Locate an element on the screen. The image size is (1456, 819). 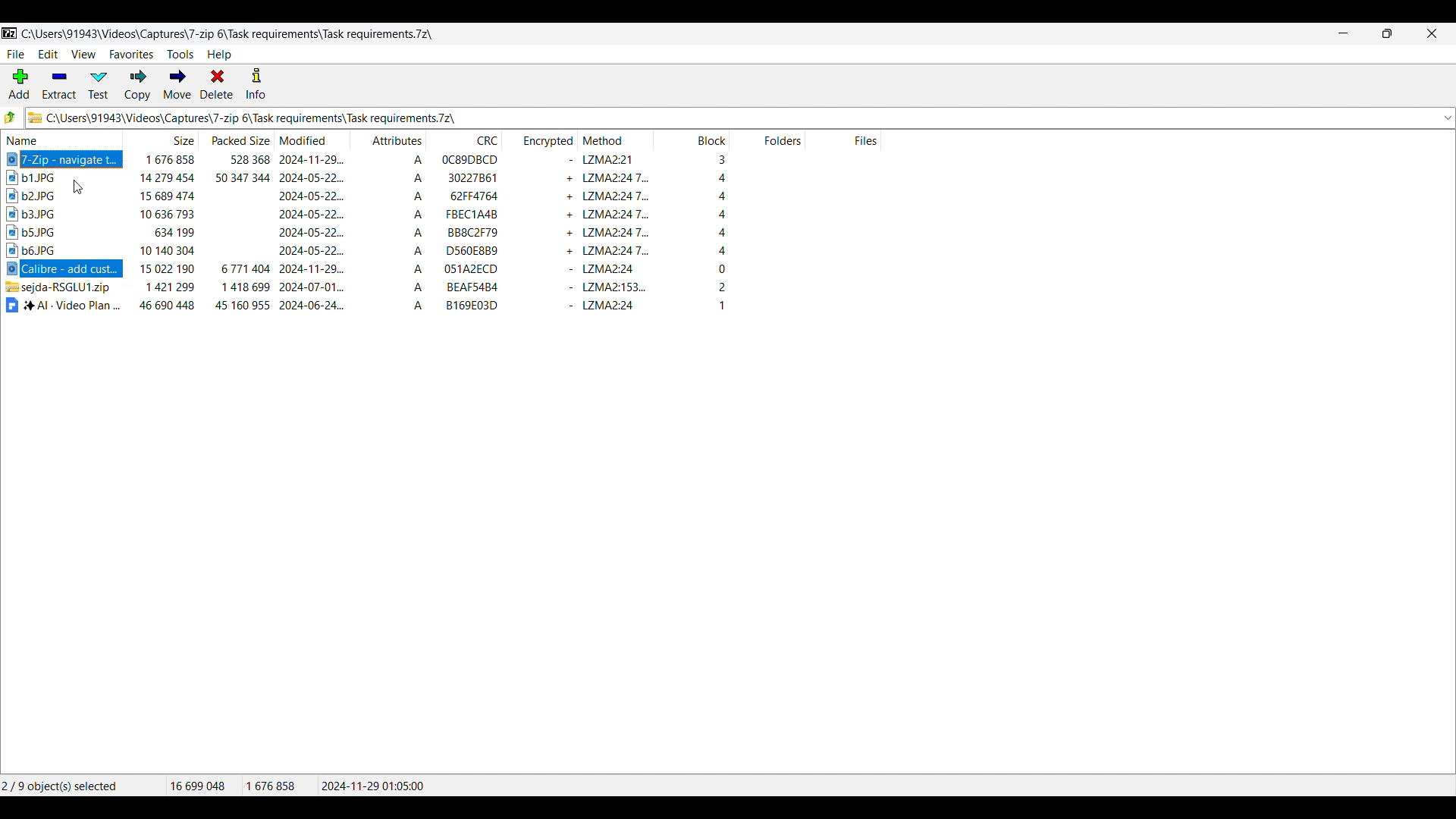
Encrypted column is located at coordinates (540, 139).